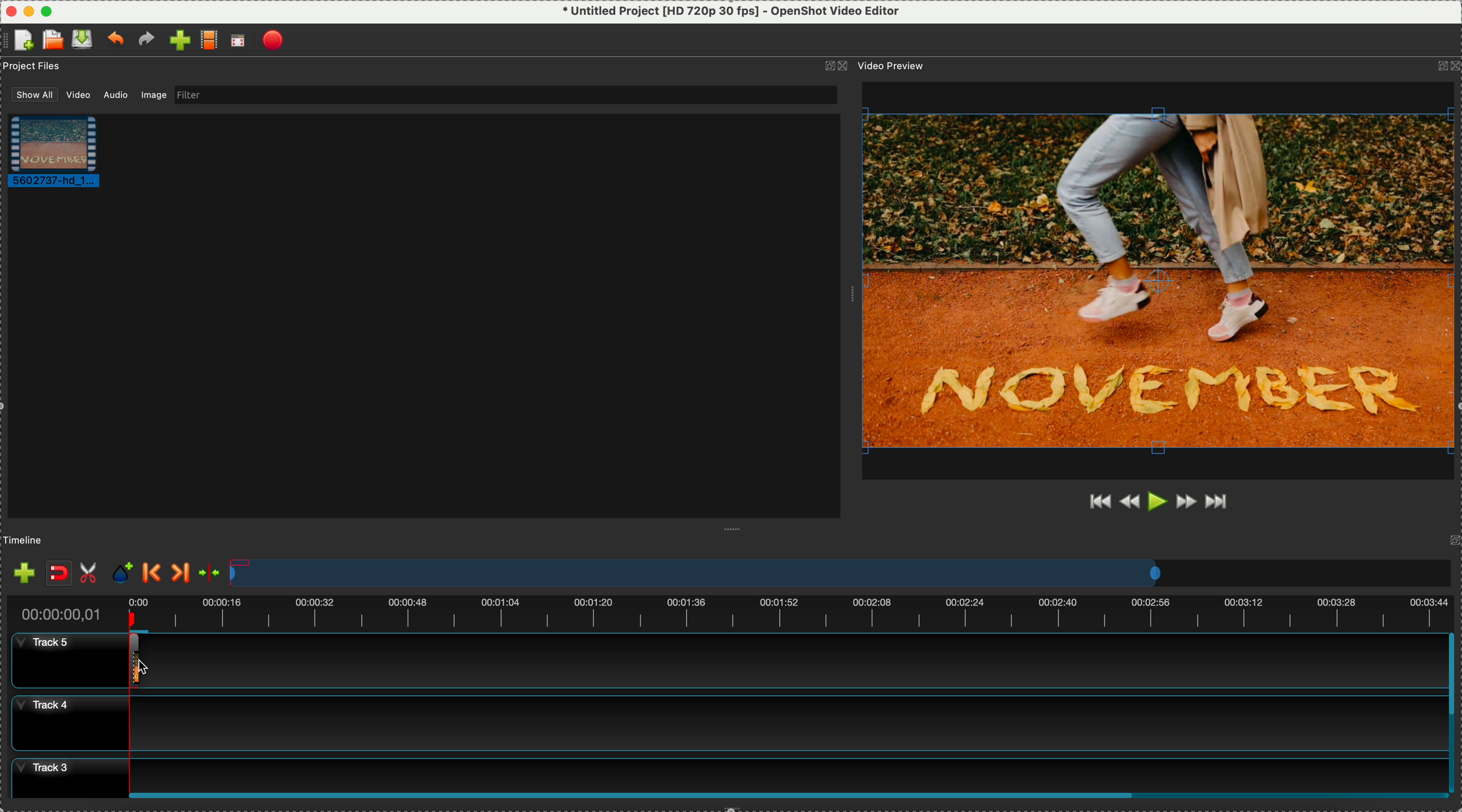 The height and width of the screenshot is (812, 1462). What do you see at coordinates (52, 40) in the screenshot?
I see `open a recent file` at bounding box center [52, 40].